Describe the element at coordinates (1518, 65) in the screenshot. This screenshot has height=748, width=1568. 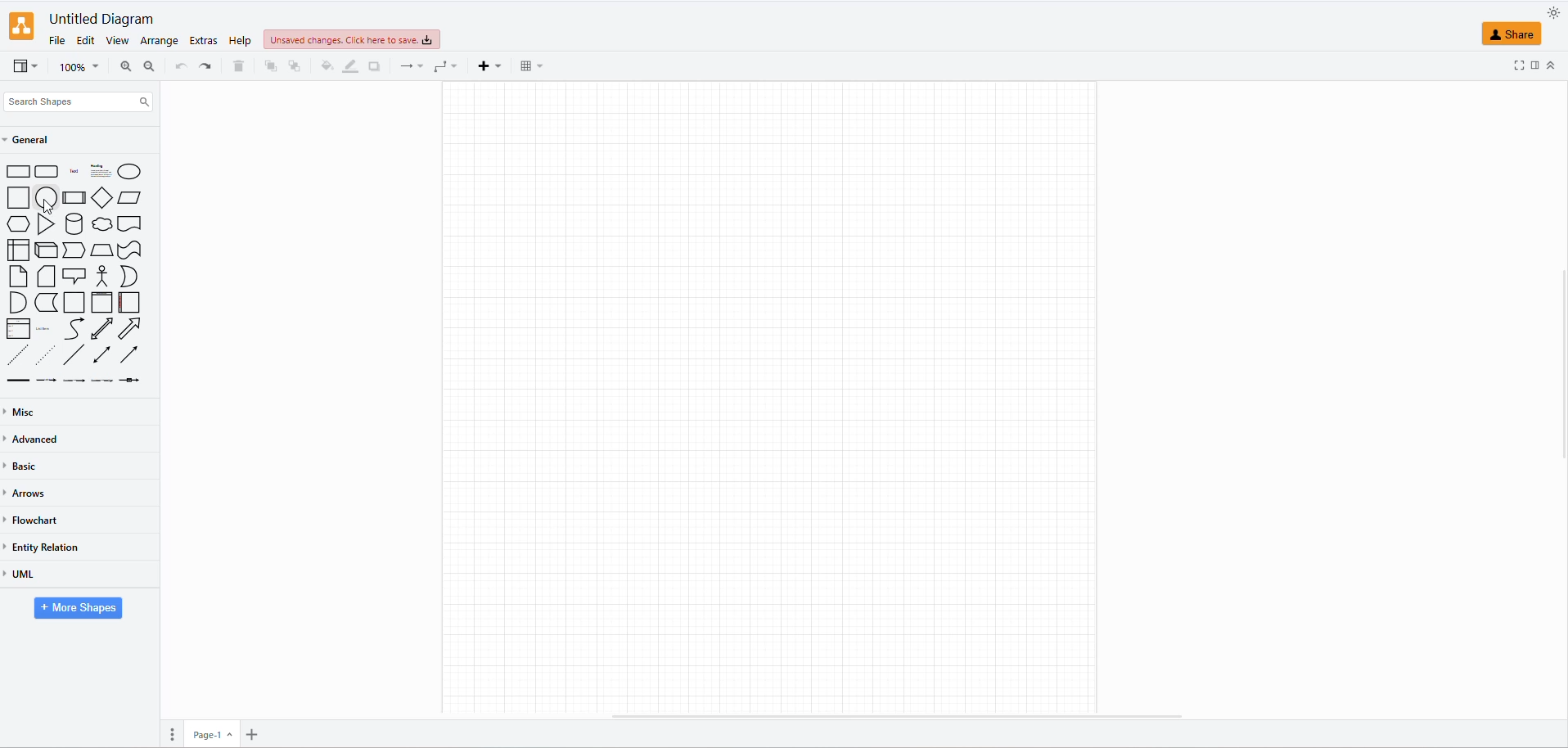
I see `FULLSCREEN` at that location.